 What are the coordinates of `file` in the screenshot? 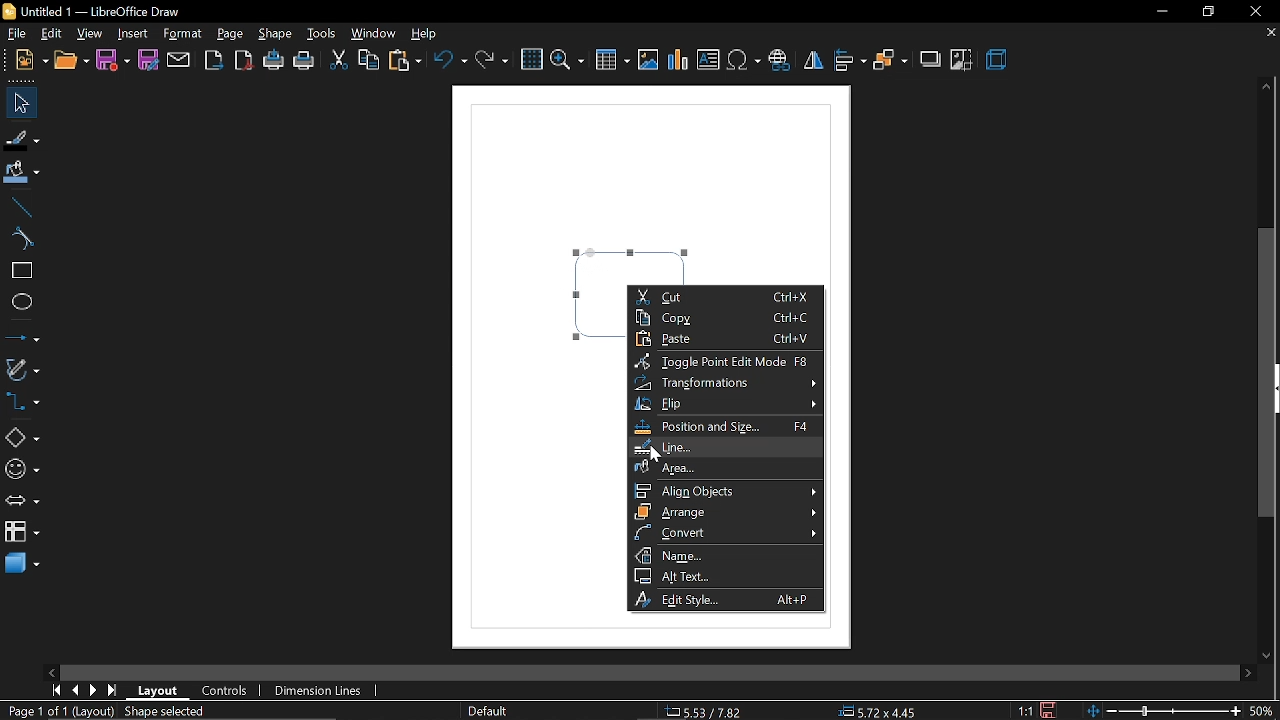 It's located at (15, 32).